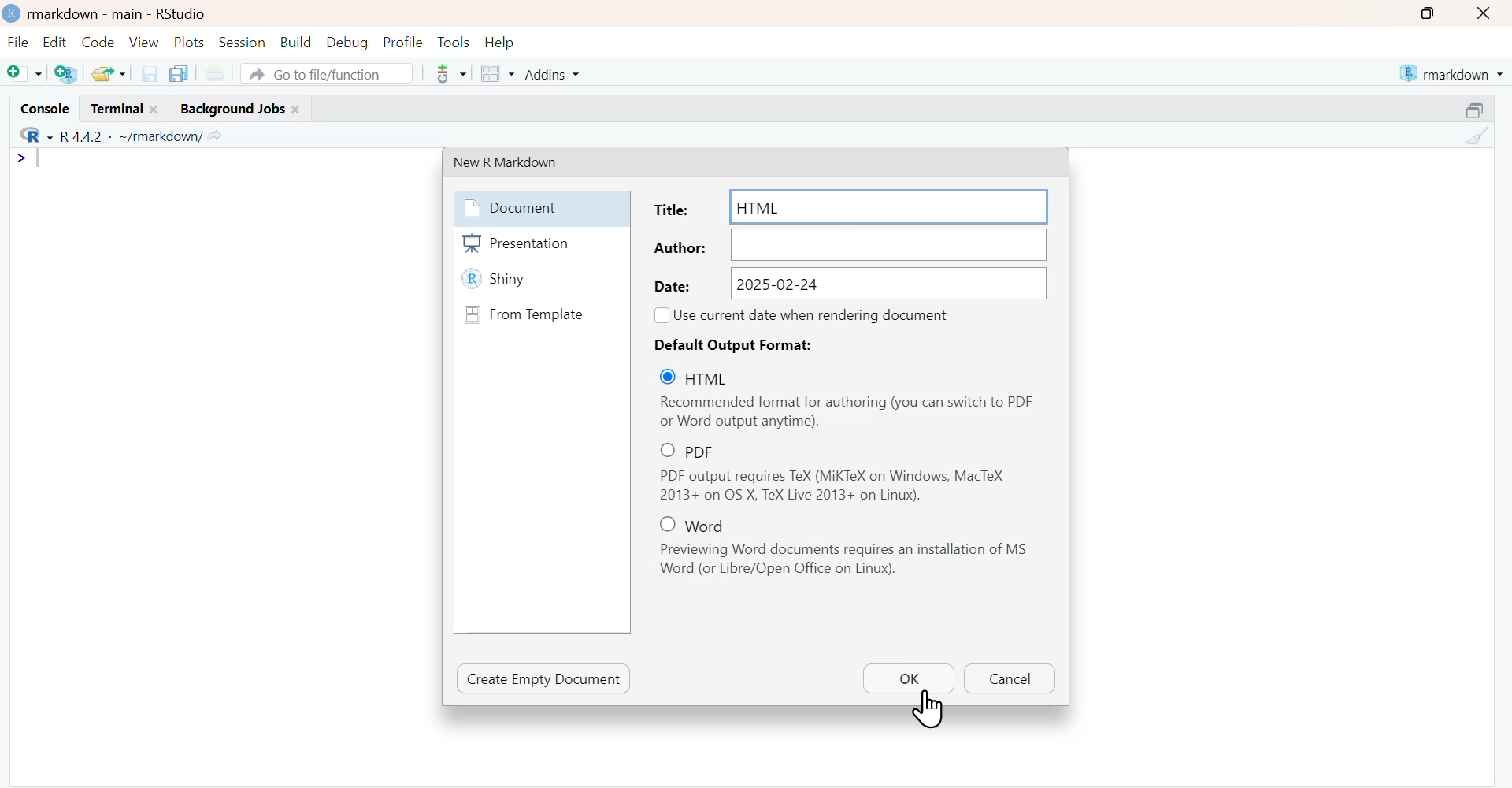 The height and width of the screenshot is (788, 1512). What do you see at coordinates (54, 43) in the screenshot?
I see `Edit` at bounding box center [54, 43].